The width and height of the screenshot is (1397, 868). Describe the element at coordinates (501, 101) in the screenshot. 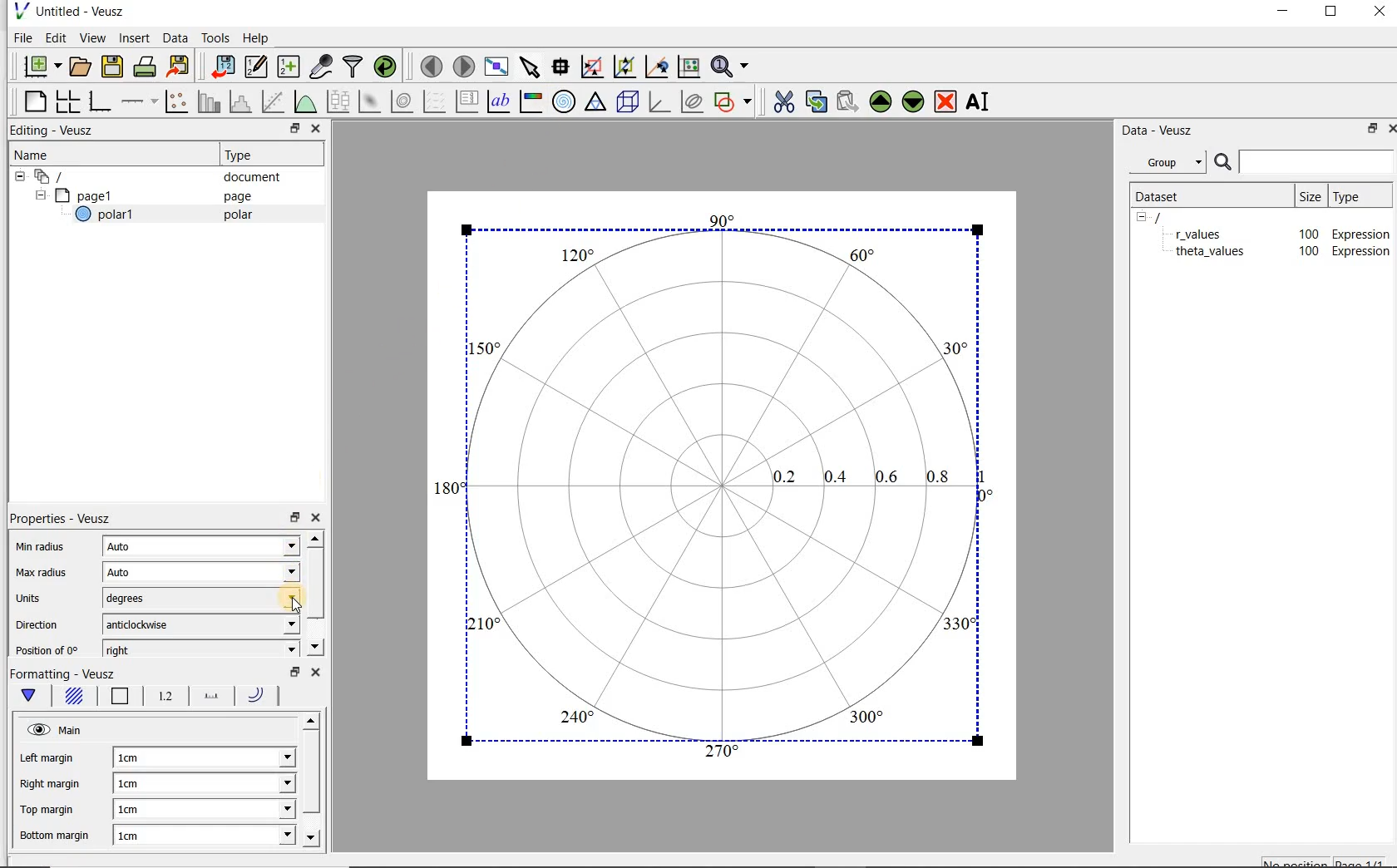

I see `text label` at that location.